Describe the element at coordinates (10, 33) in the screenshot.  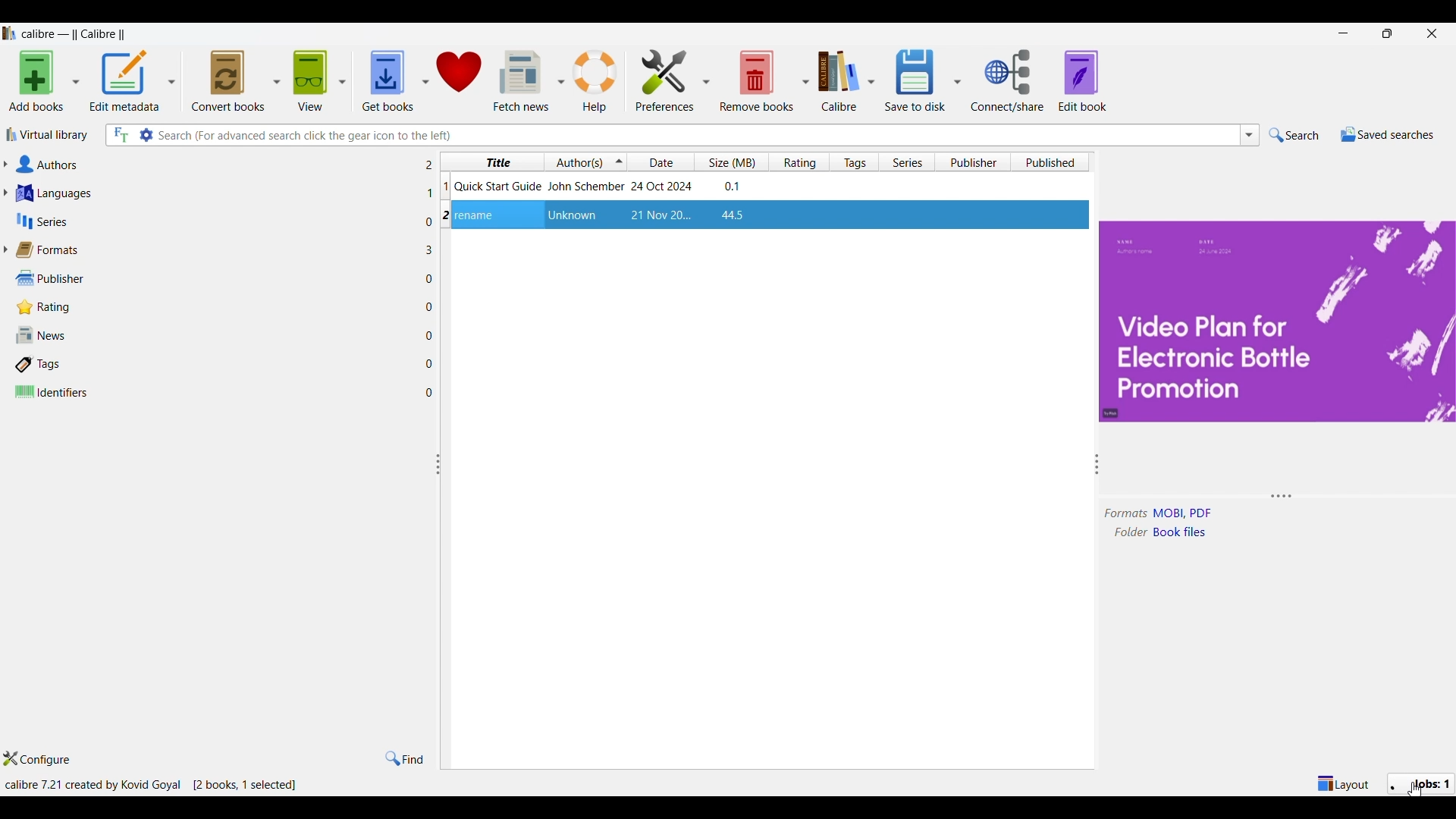
I see `Software logo` at that location.